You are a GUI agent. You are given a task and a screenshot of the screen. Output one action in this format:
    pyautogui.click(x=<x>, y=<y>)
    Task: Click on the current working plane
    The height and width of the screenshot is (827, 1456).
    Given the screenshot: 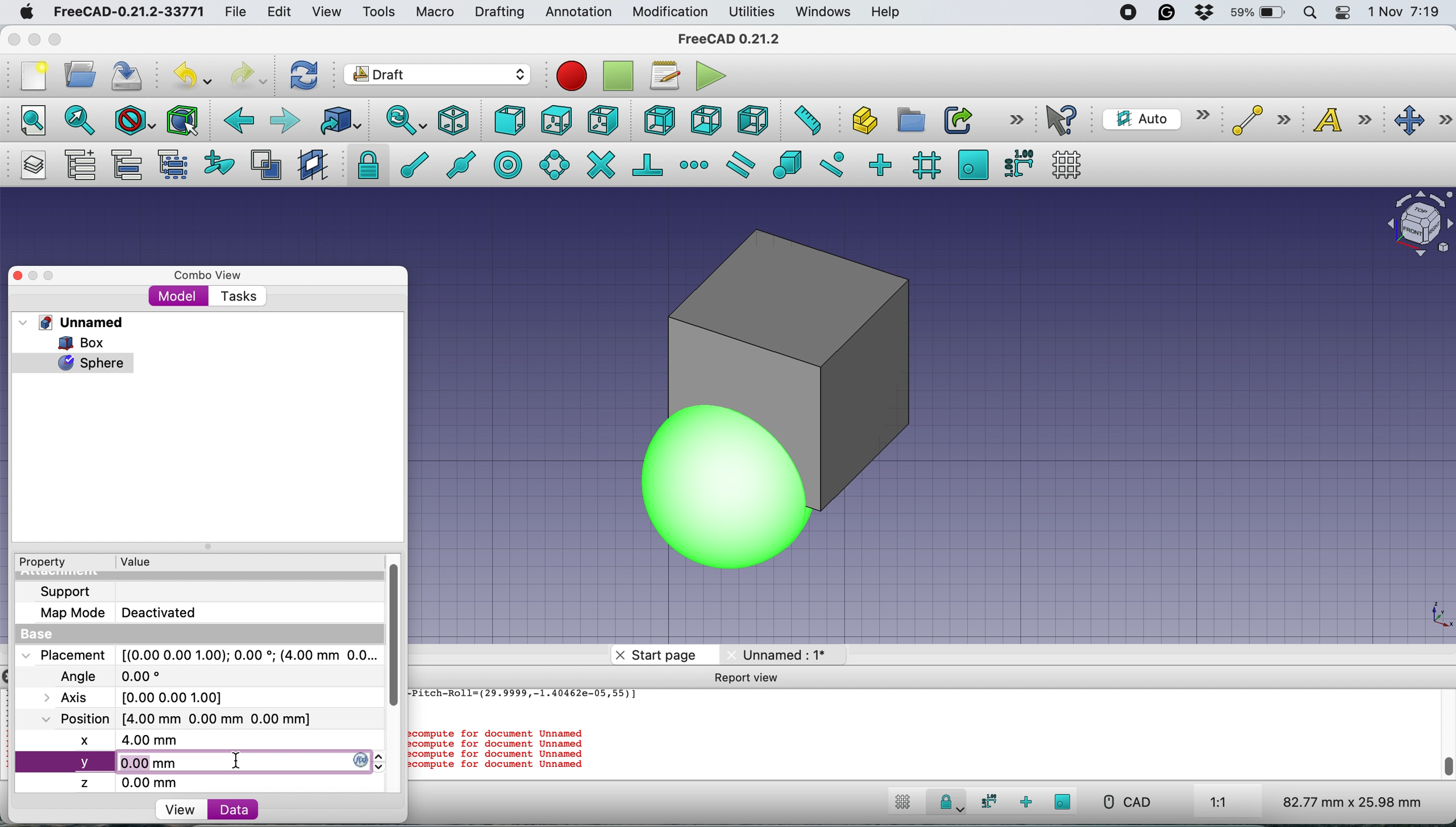 What is the action you would take?
    pyautogui.click(x=1153, y=118)
    